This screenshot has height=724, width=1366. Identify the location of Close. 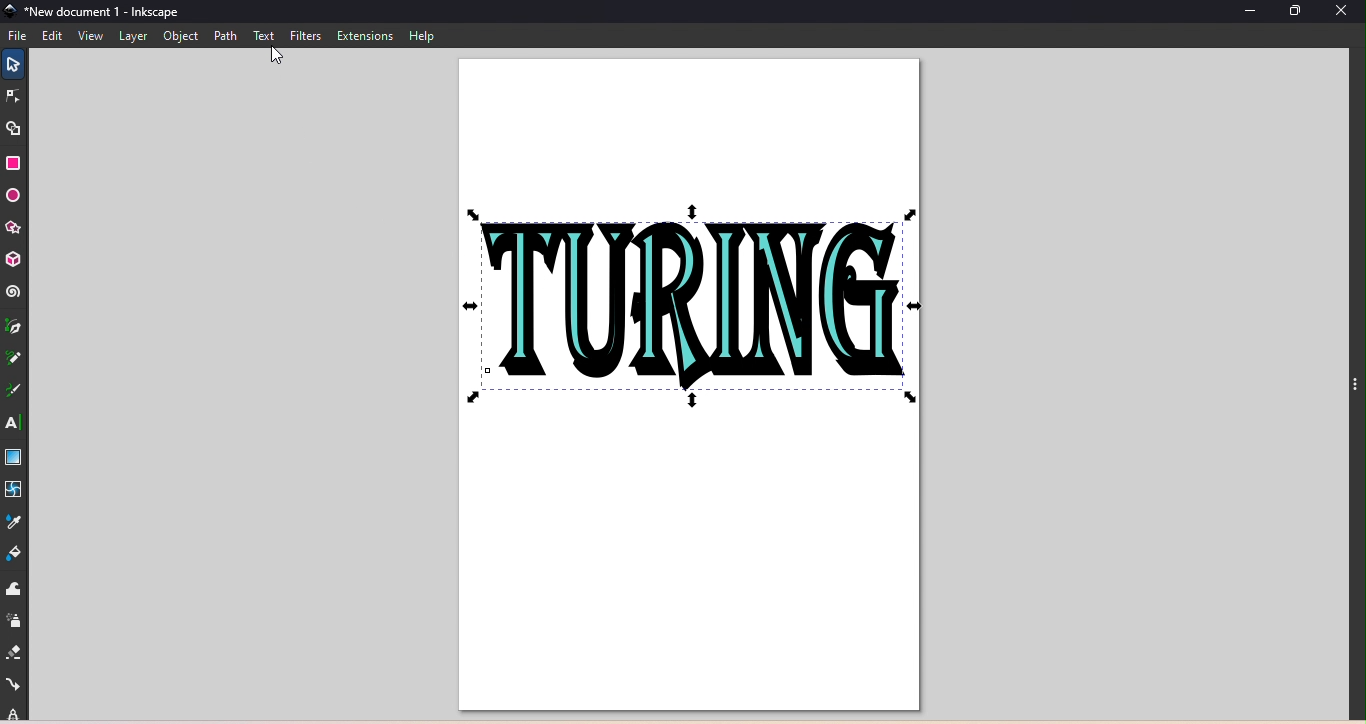
(1347, 14).